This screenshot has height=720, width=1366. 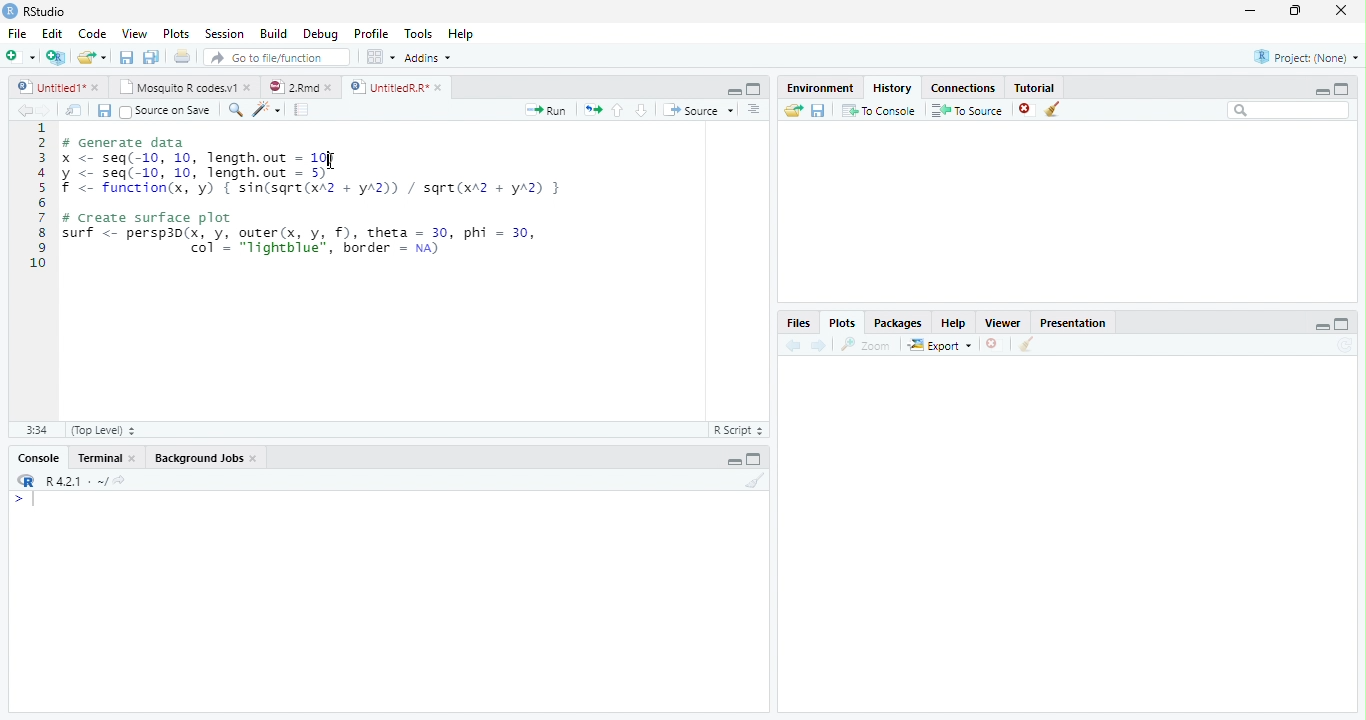 What do you see at coordinates (1026, 344) in the screenshot?
I see `Clear all plots` at bounding box center [1026, 344].